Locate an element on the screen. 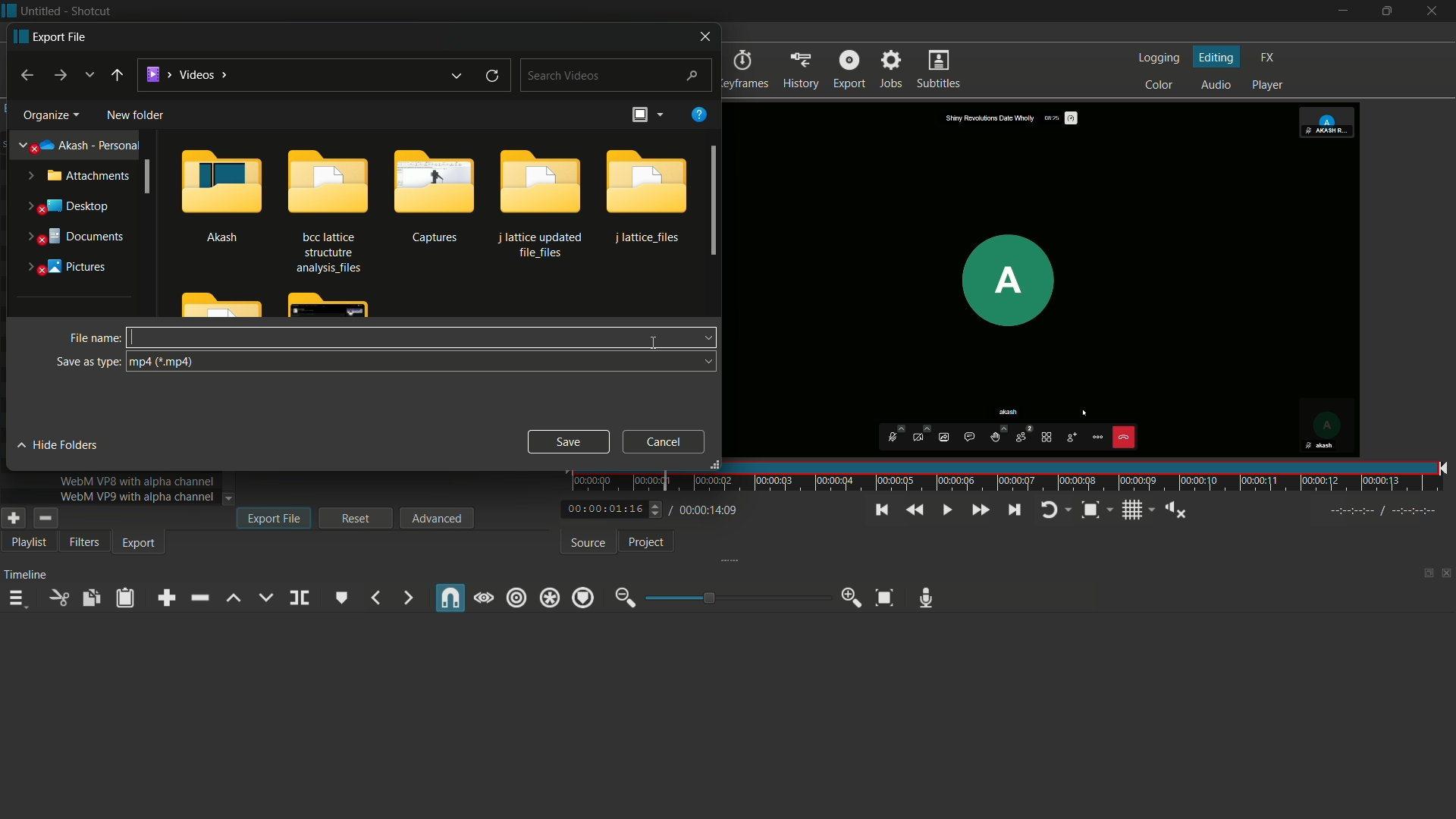 The width and height of the screenshot is (1456, 819). zoom in is located at coordinates (853, 598).